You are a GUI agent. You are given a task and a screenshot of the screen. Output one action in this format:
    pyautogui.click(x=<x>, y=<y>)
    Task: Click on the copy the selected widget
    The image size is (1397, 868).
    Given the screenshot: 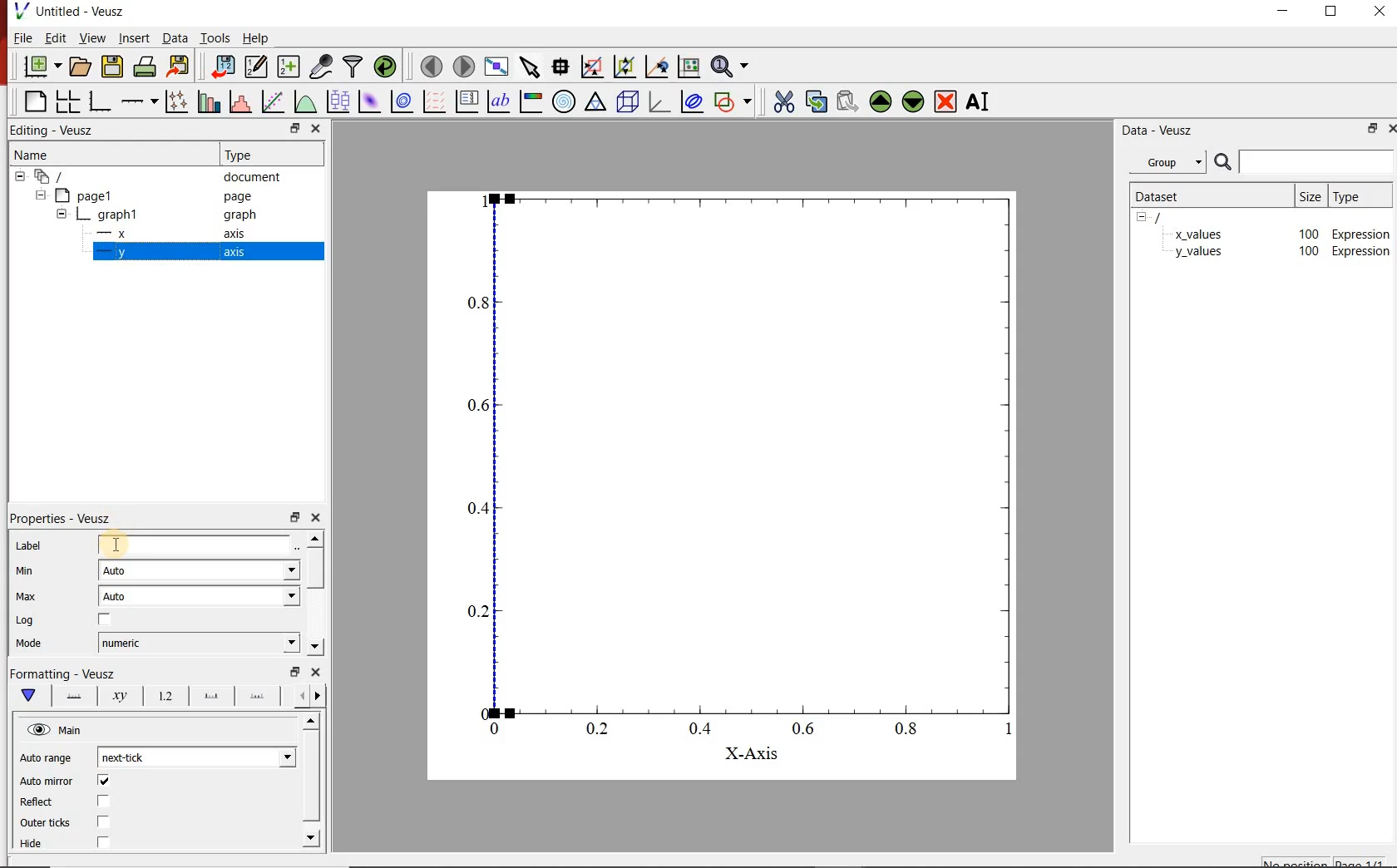 What is the action you would take?
    pyautogui.click(x=815, y=102)
    